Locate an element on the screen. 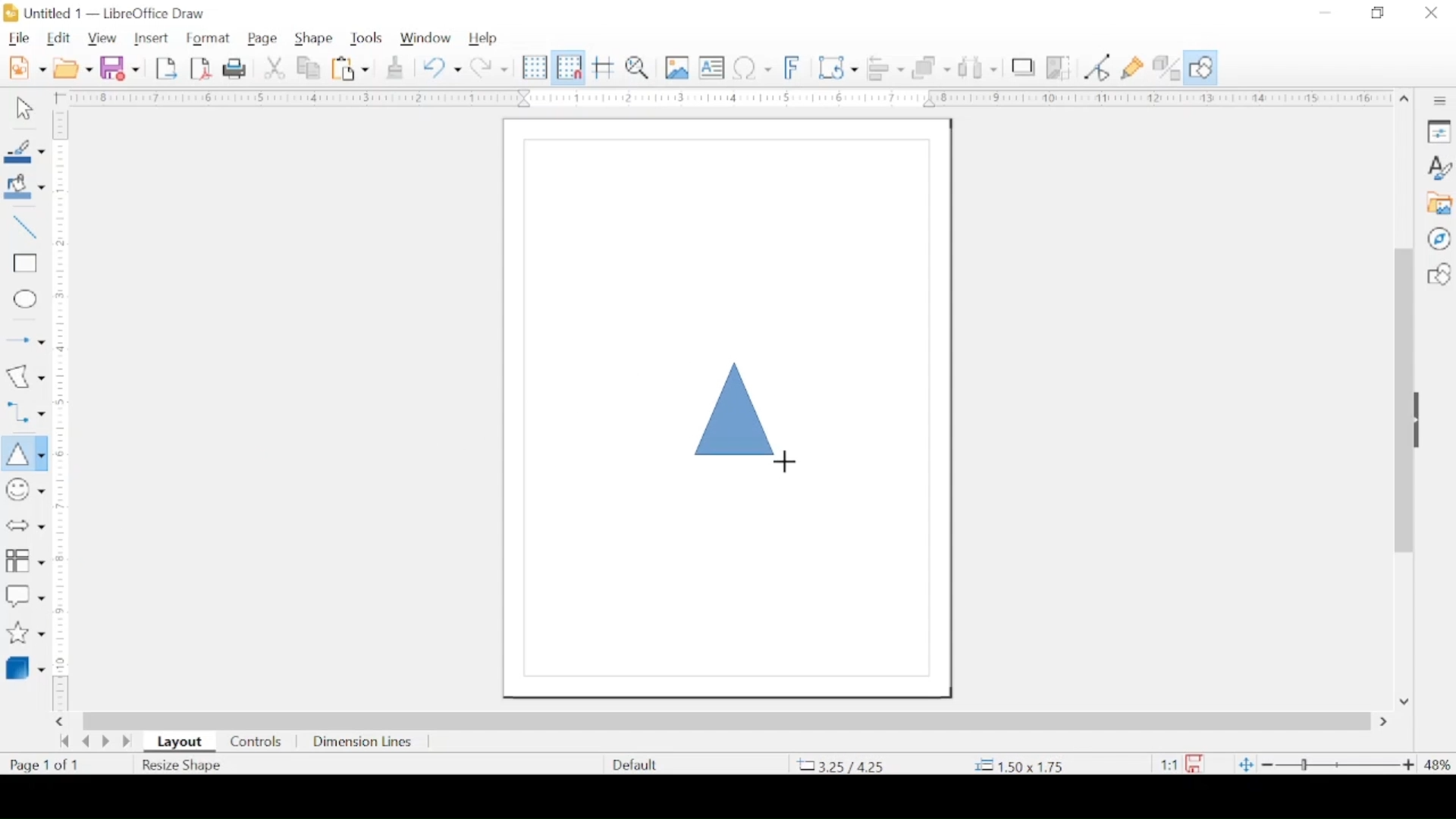  scroll box is located at coordinates (1400, 403).